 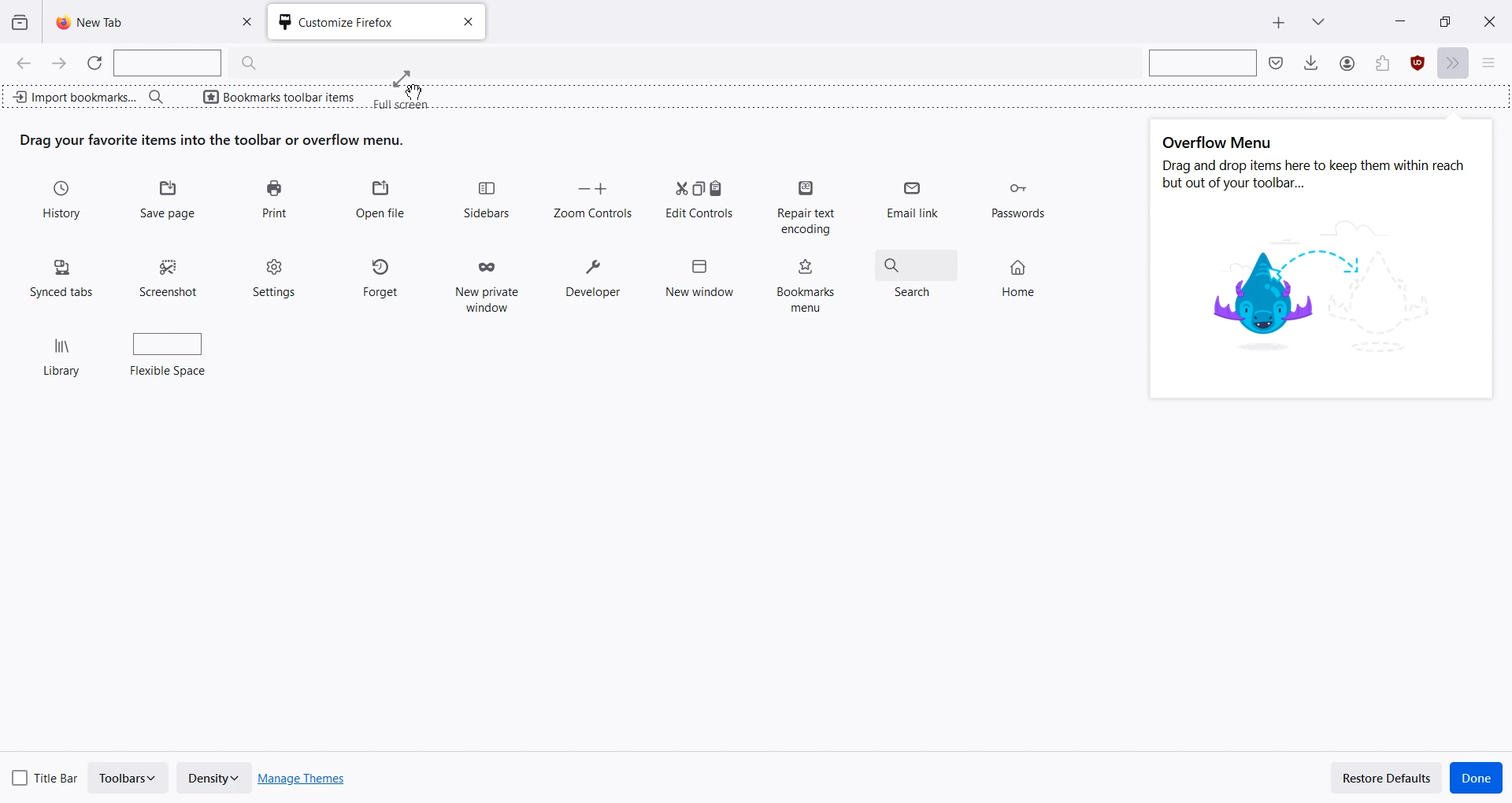 What do you see at coordinates (274, 200) in the screenshot?
I see `Print` at bounding box center [274, 200].